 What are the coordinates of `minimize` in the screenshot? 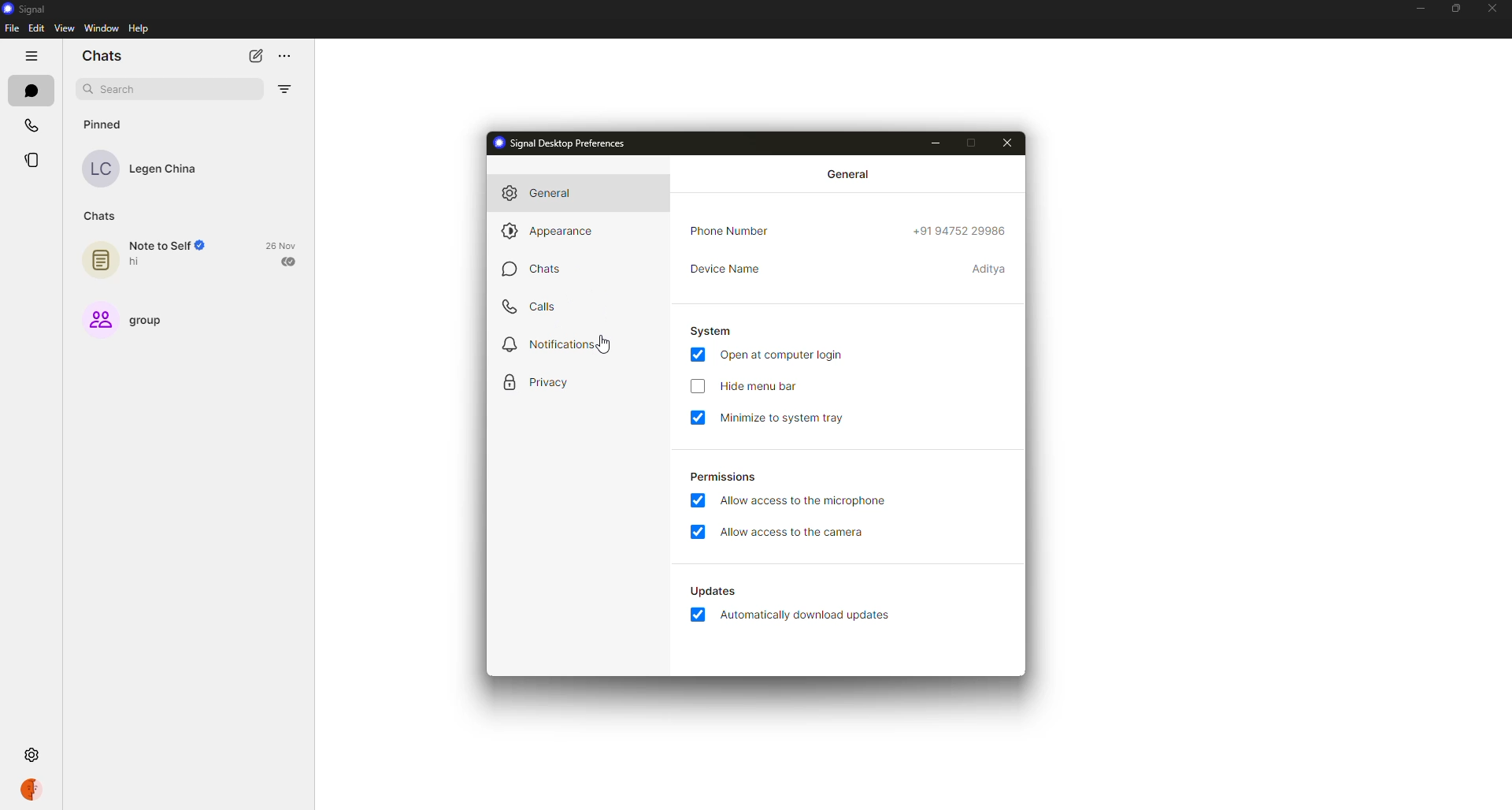 It's located at (1422, 8).